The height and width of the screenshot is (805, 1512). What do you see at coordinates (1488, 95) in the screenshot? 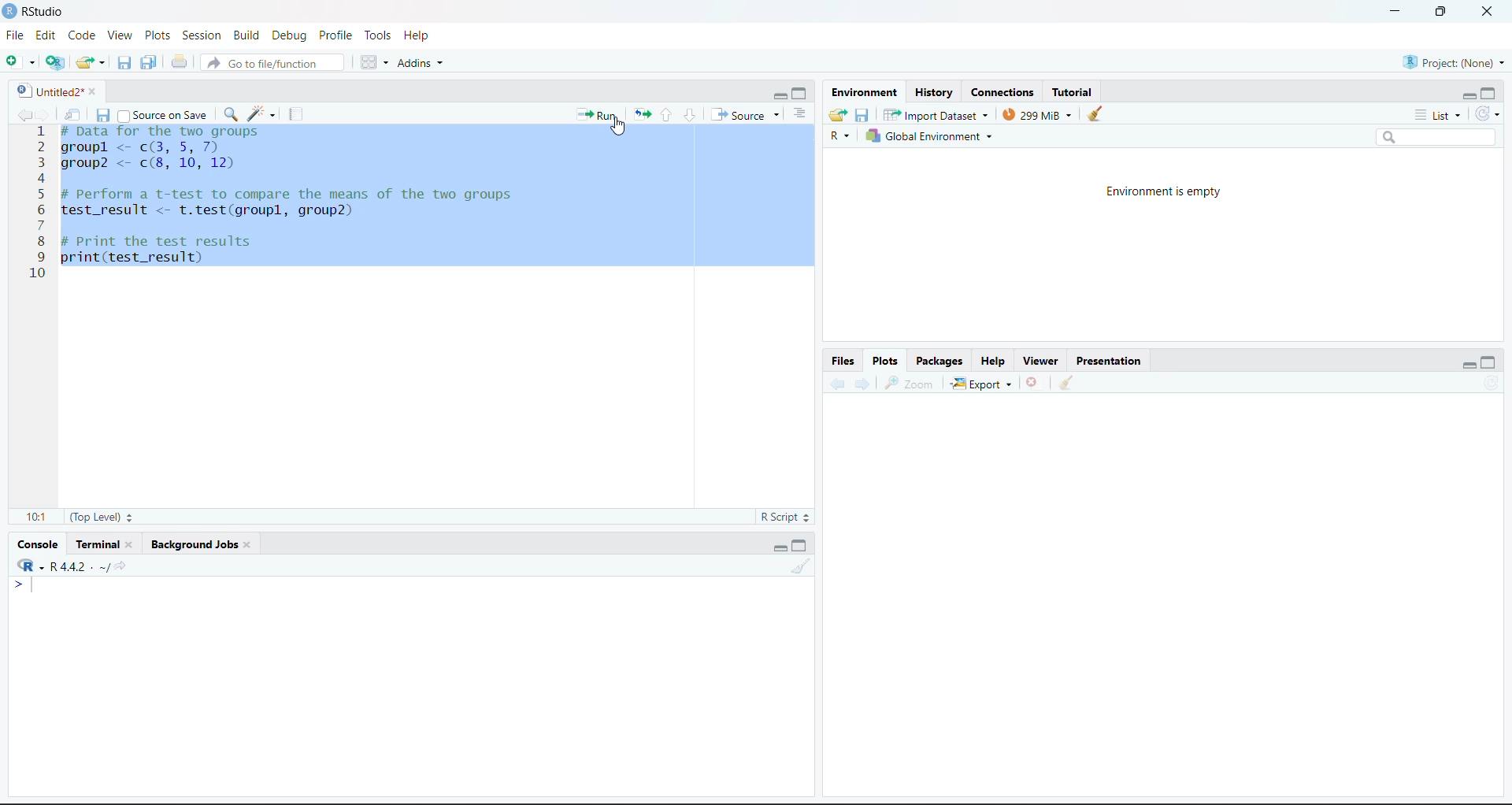
I see `maximize` at bounding box center [1488, 95].